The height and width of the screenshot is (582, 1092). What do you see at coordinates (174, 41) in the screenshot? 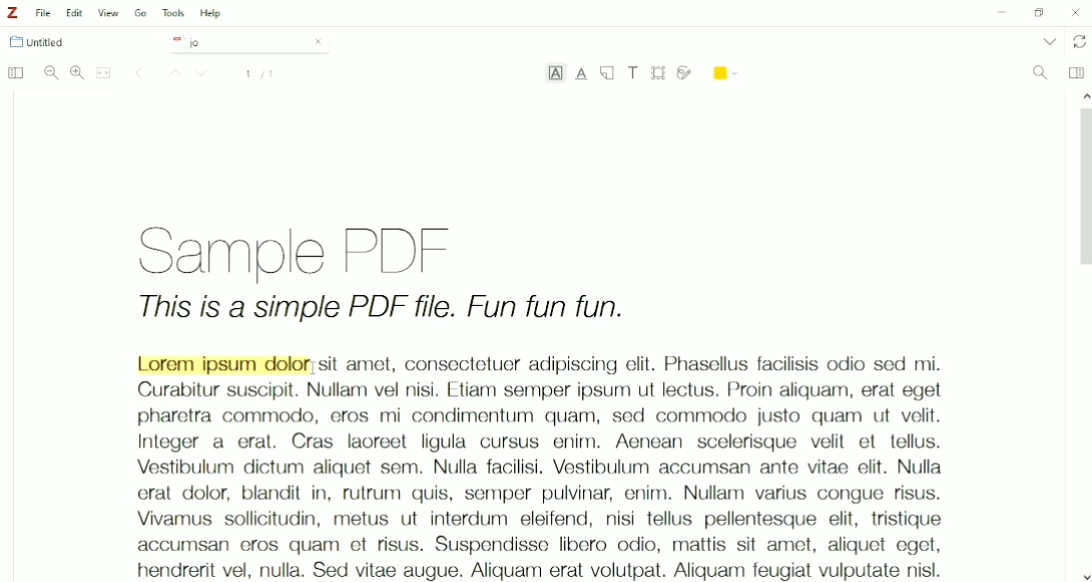
I see `pdf logo` at bounding box center [174, 41].